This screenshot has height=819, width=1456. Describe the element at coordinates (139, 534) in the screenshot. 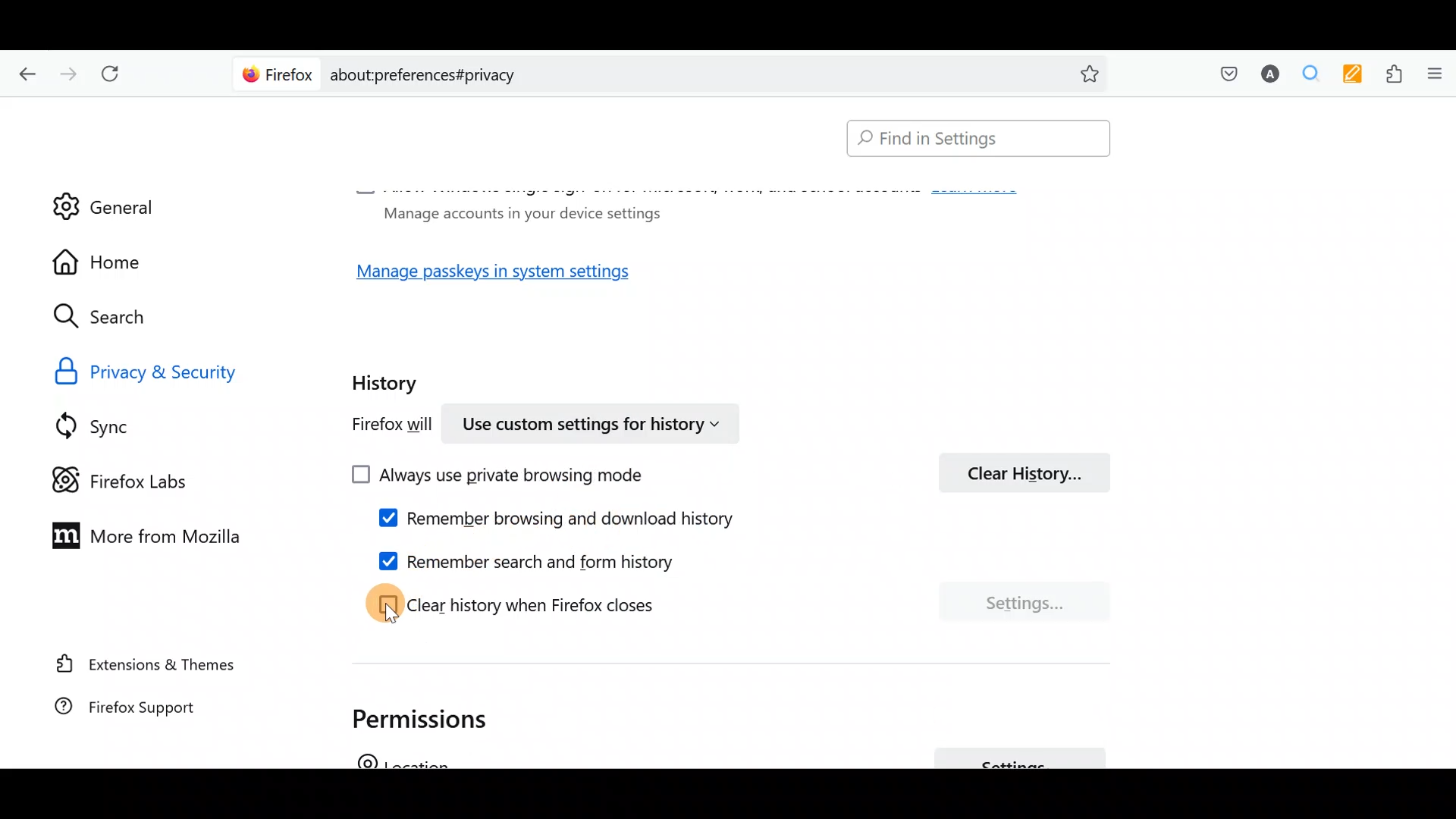

I see `More from Mozilla` at that location.